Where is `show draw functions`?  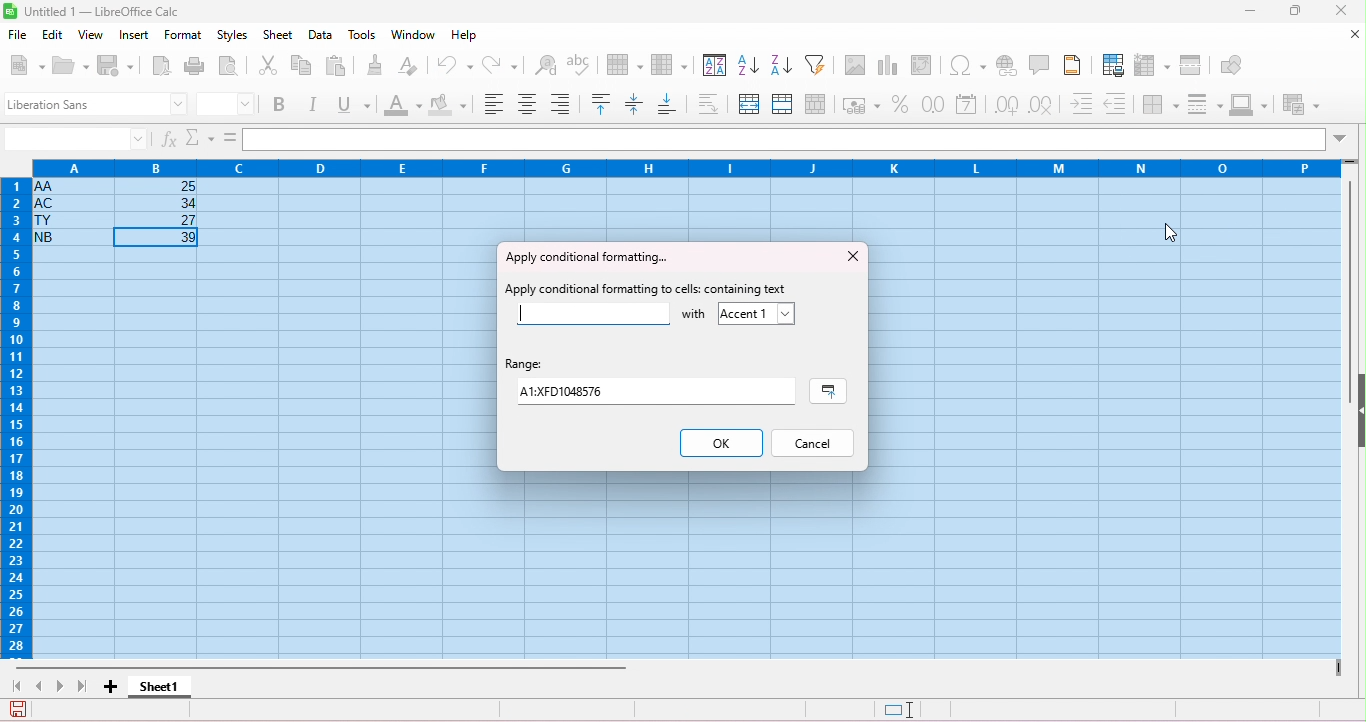 show draw functions is located at coordinates (1232, 63).